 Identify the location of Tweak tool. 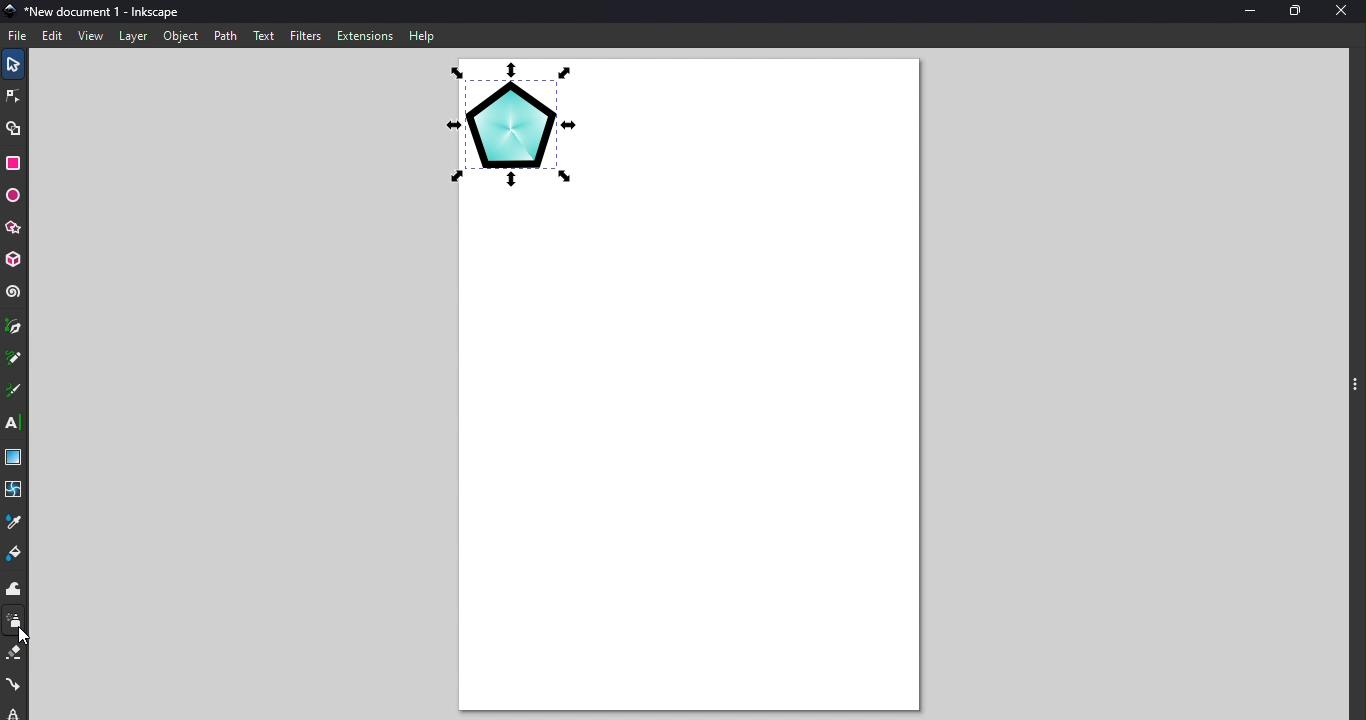
(16, 588).